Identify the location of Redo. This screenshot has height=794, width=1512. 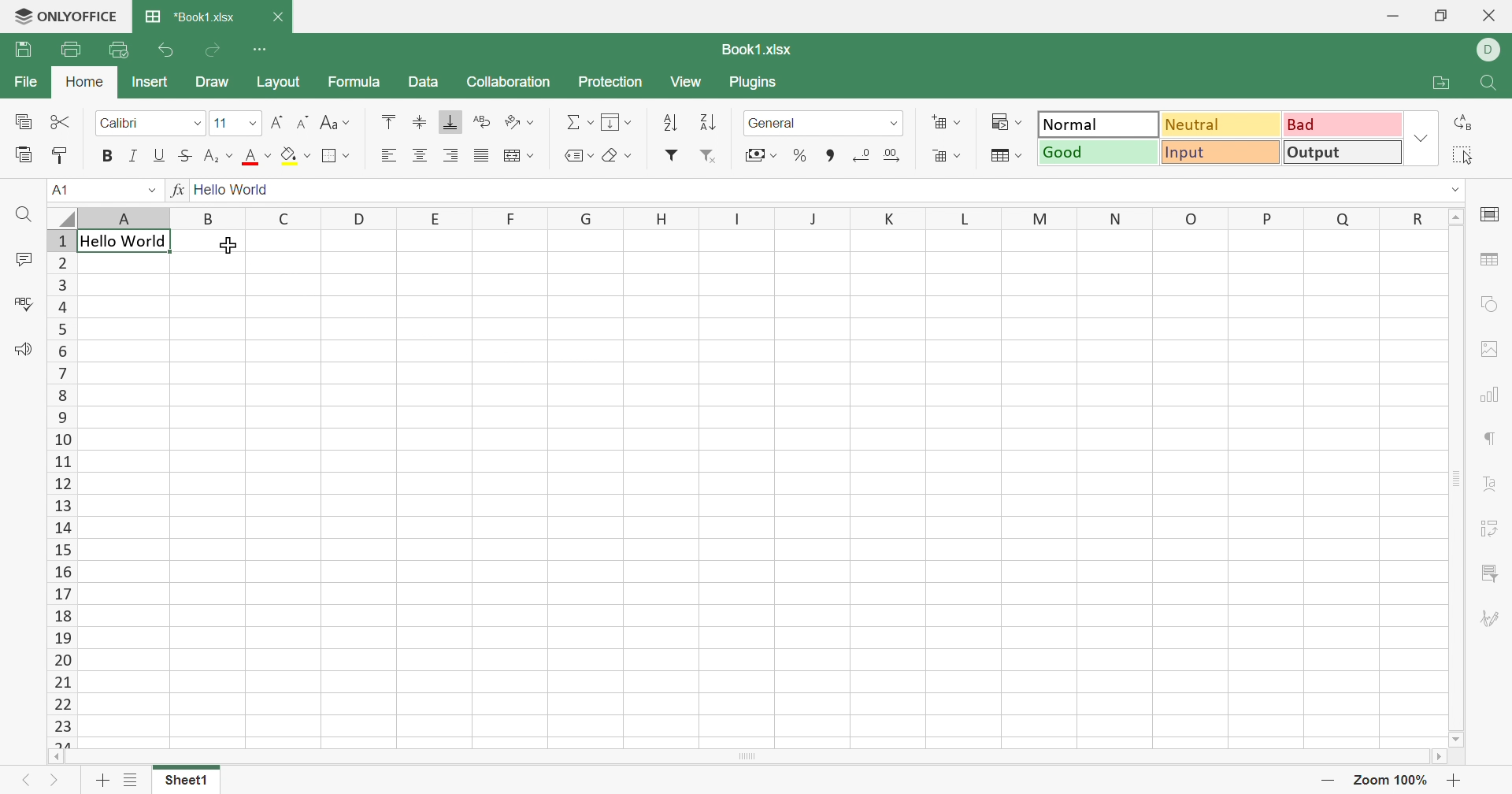
(213, 49).